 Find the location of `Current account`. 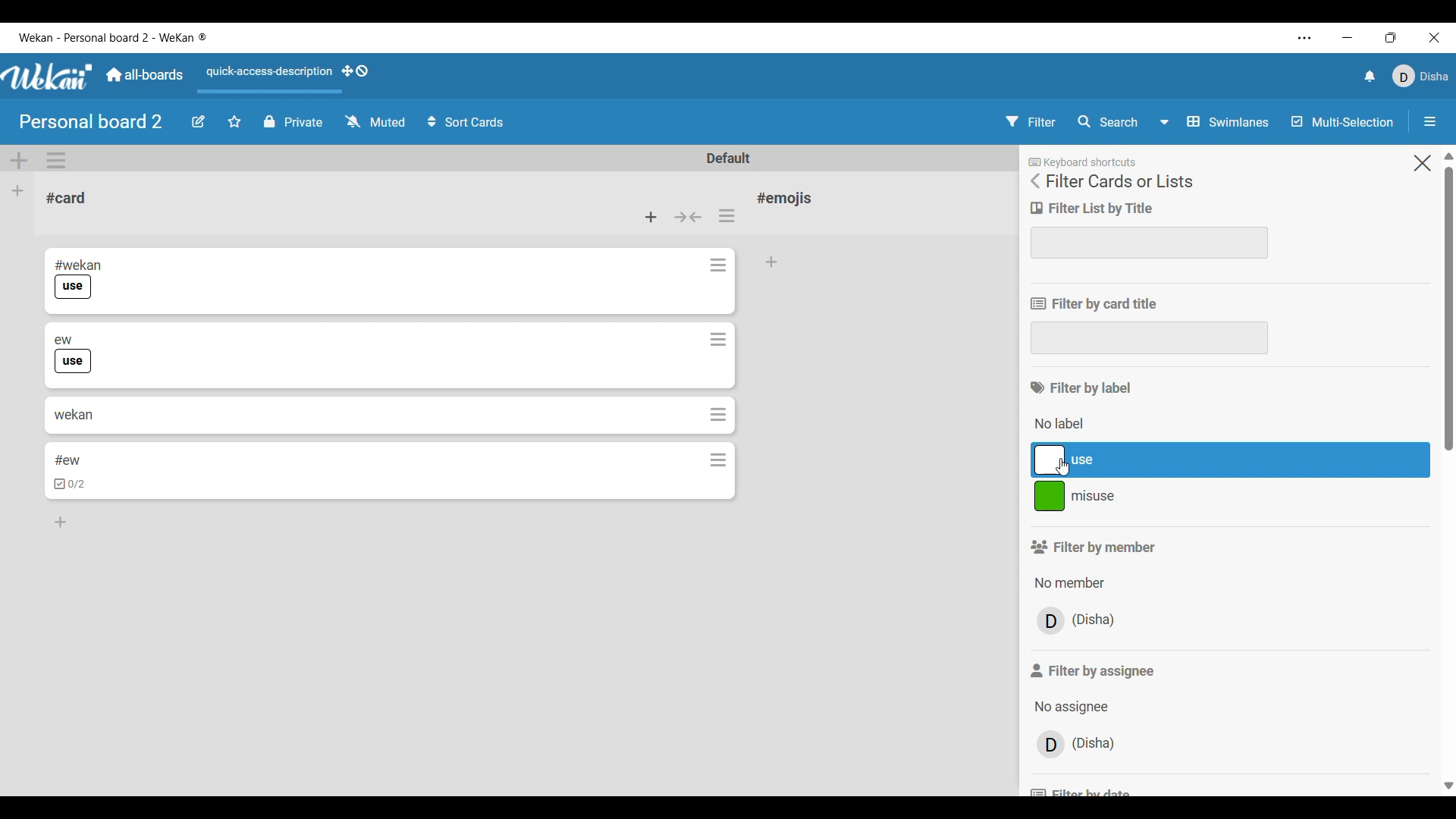

Current account is located at coordinates (1420, 76).